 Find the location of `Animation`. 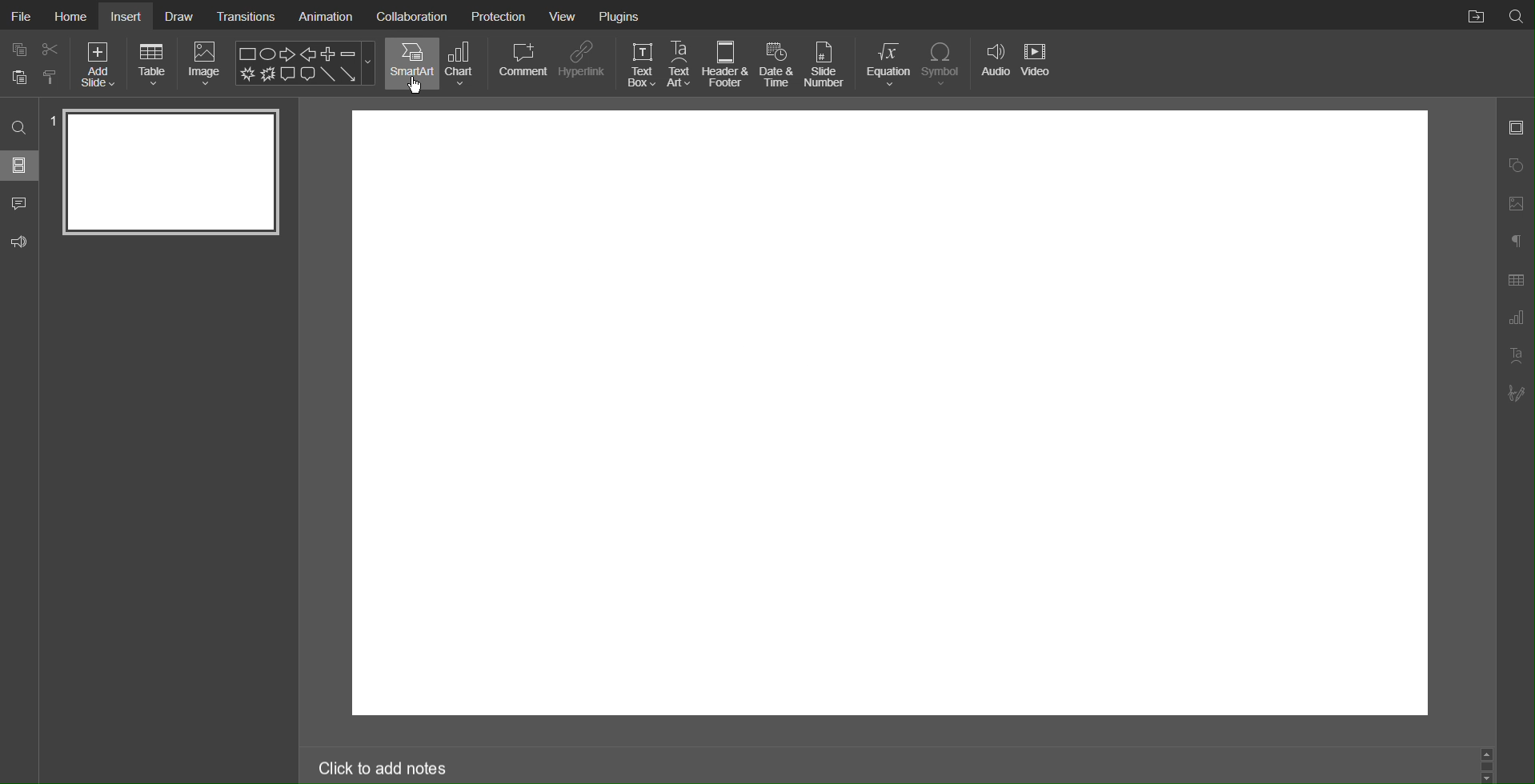

Animation is located at coordinates (325, 14).